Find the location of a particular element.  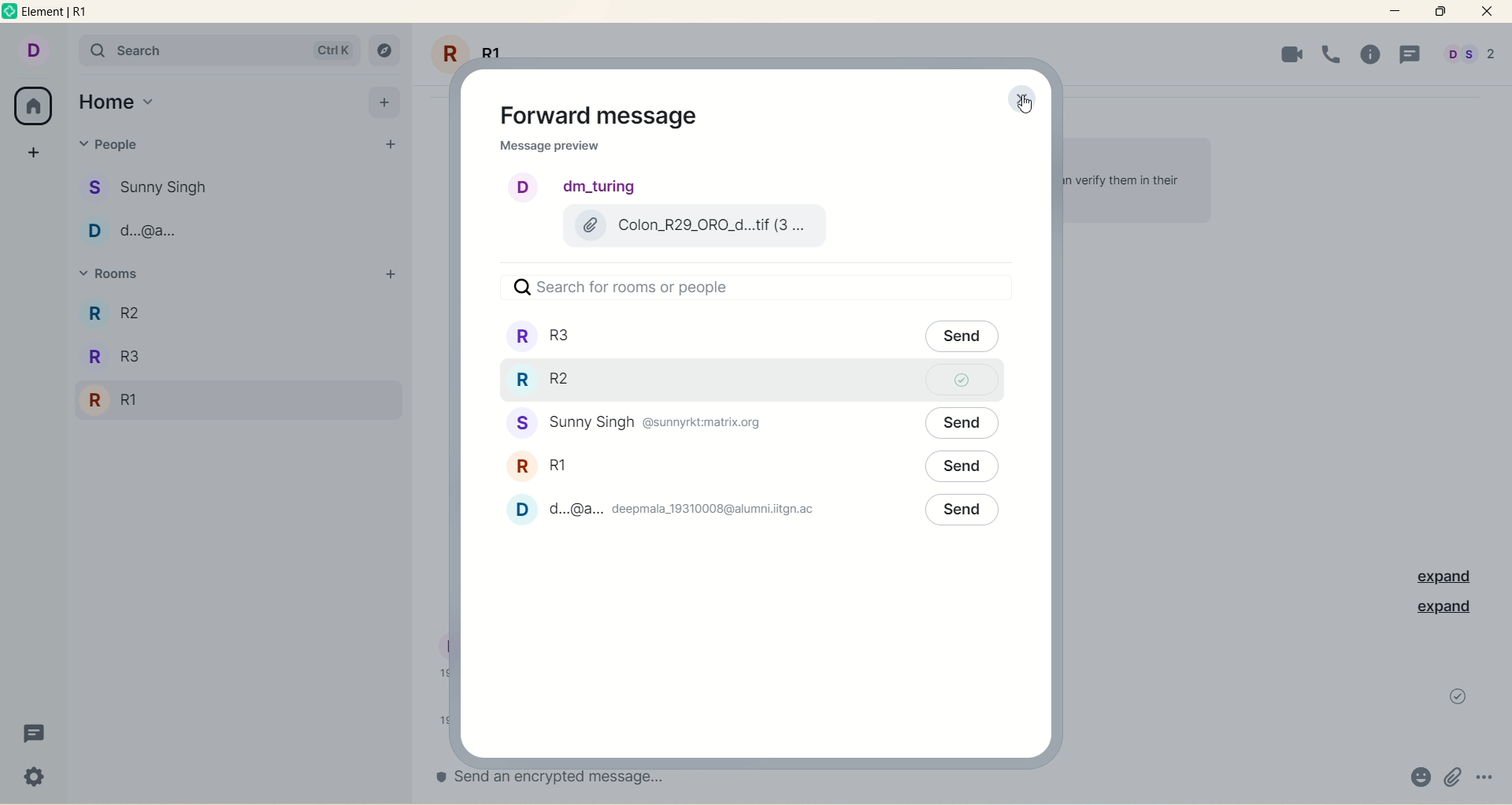

R1 is located at coordinates (119, 402).